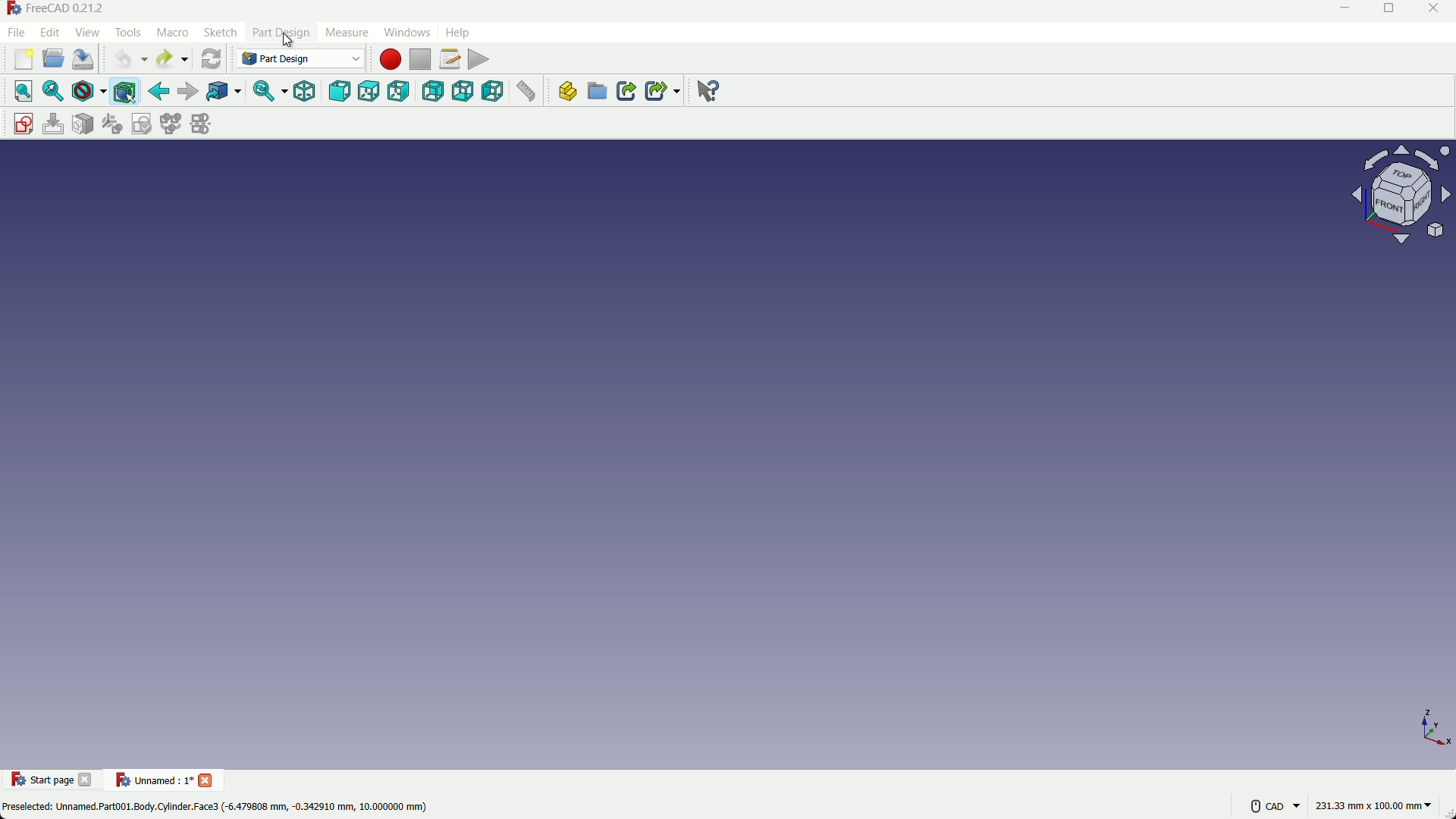  I want to click on tools, so click(128, 33).